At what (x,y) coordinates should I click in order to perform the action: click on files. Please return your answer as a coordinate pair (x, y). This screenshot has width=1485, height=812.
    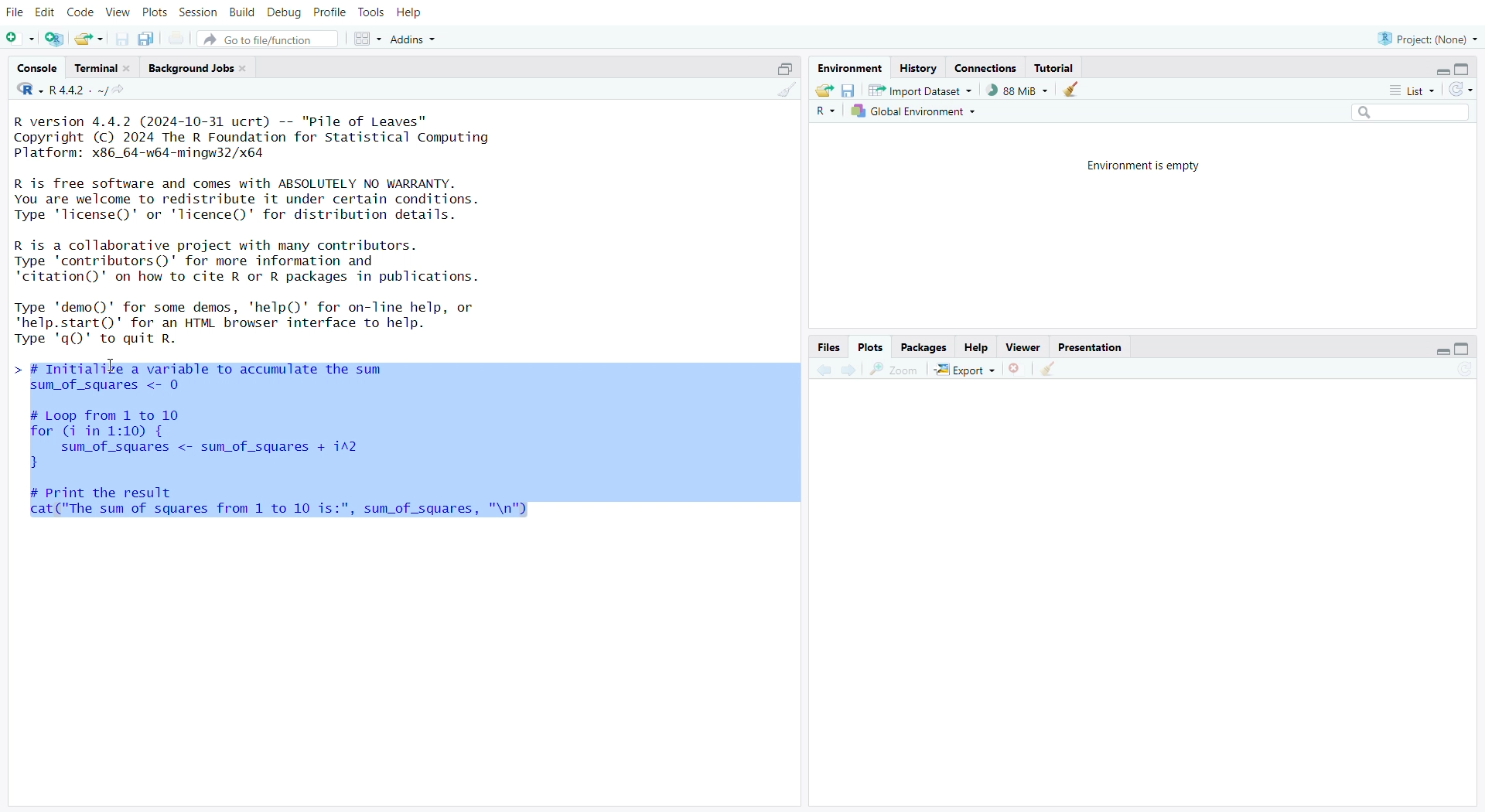
    Looking at the image, I should click on (829, 346).